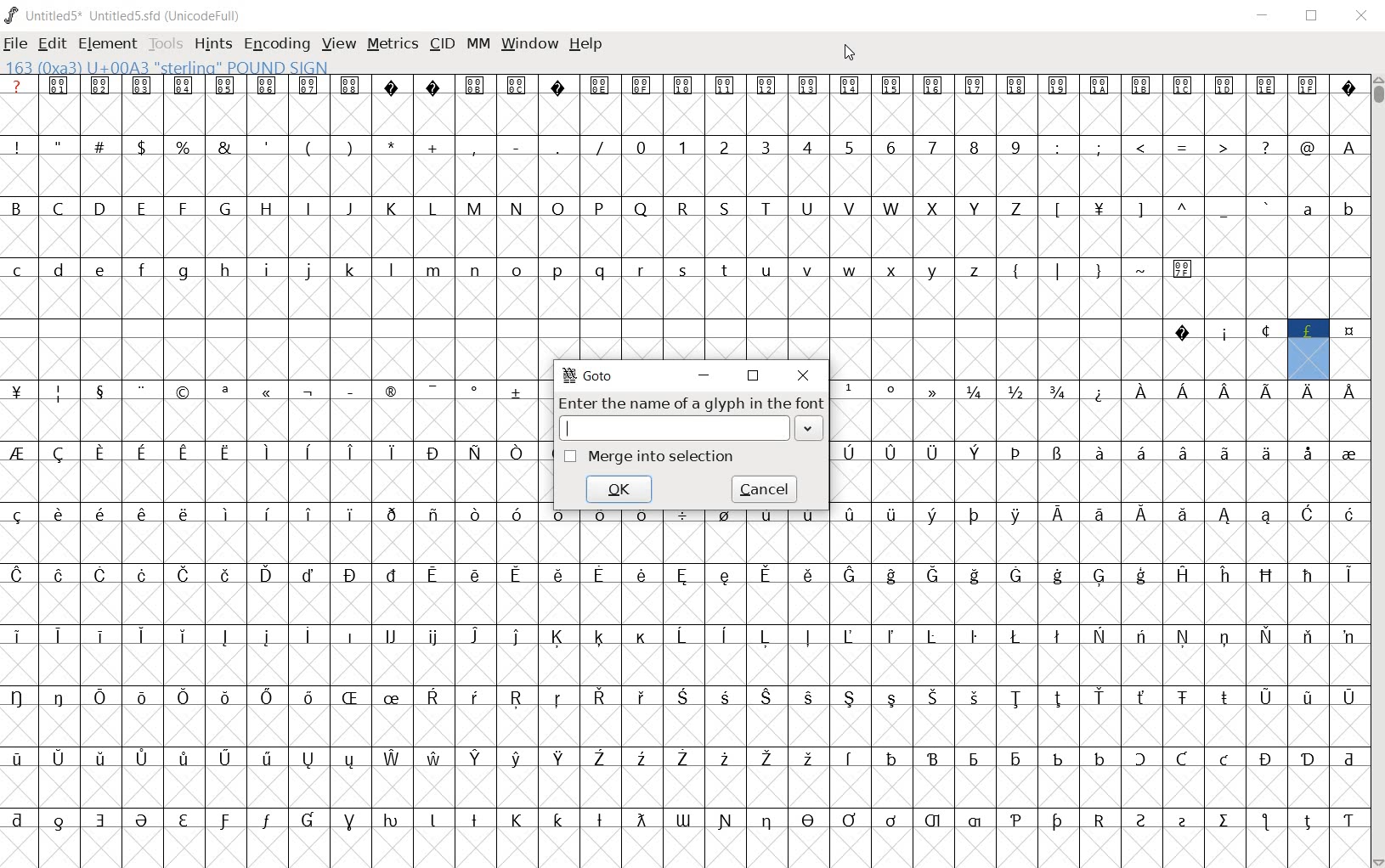 This screenshot has height=868, width=1385. What do you see at coordinates (1361, 18) in the screenshot?
I see `CLOSE` at bounding box center [1361, 18].